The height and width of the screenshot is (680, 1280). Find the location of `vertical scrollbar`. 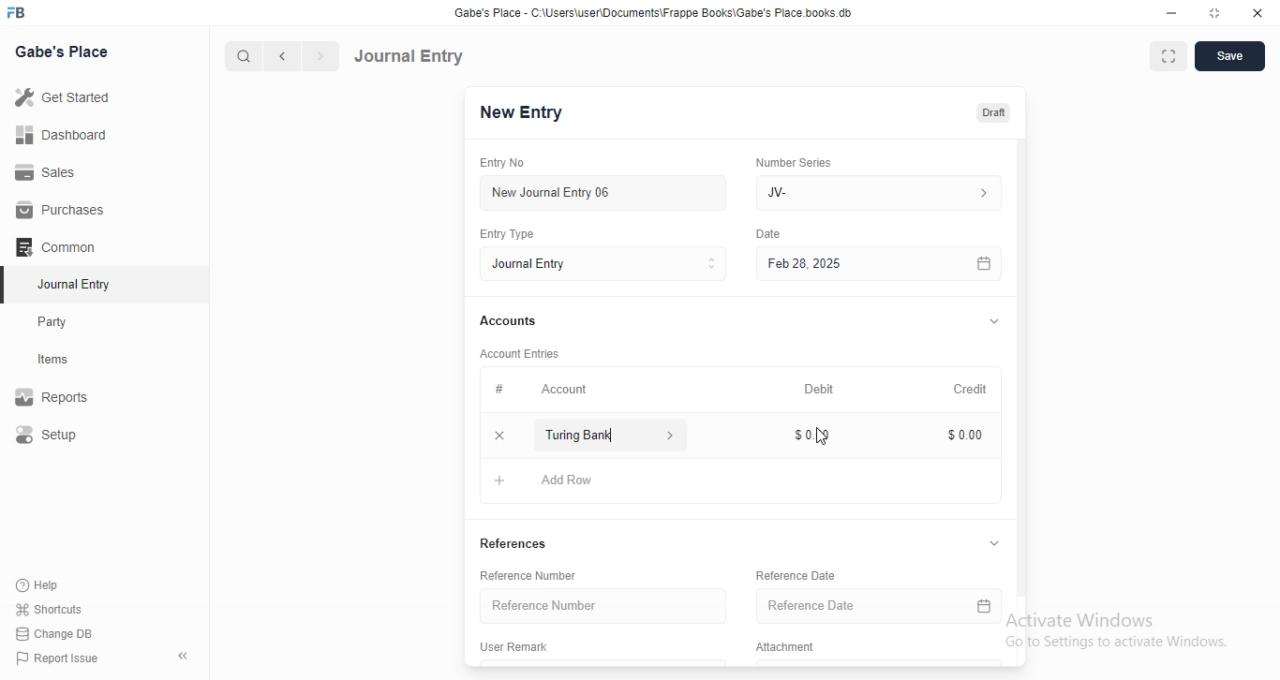

vertical scrollbar is located at coordinates (1022, 365).